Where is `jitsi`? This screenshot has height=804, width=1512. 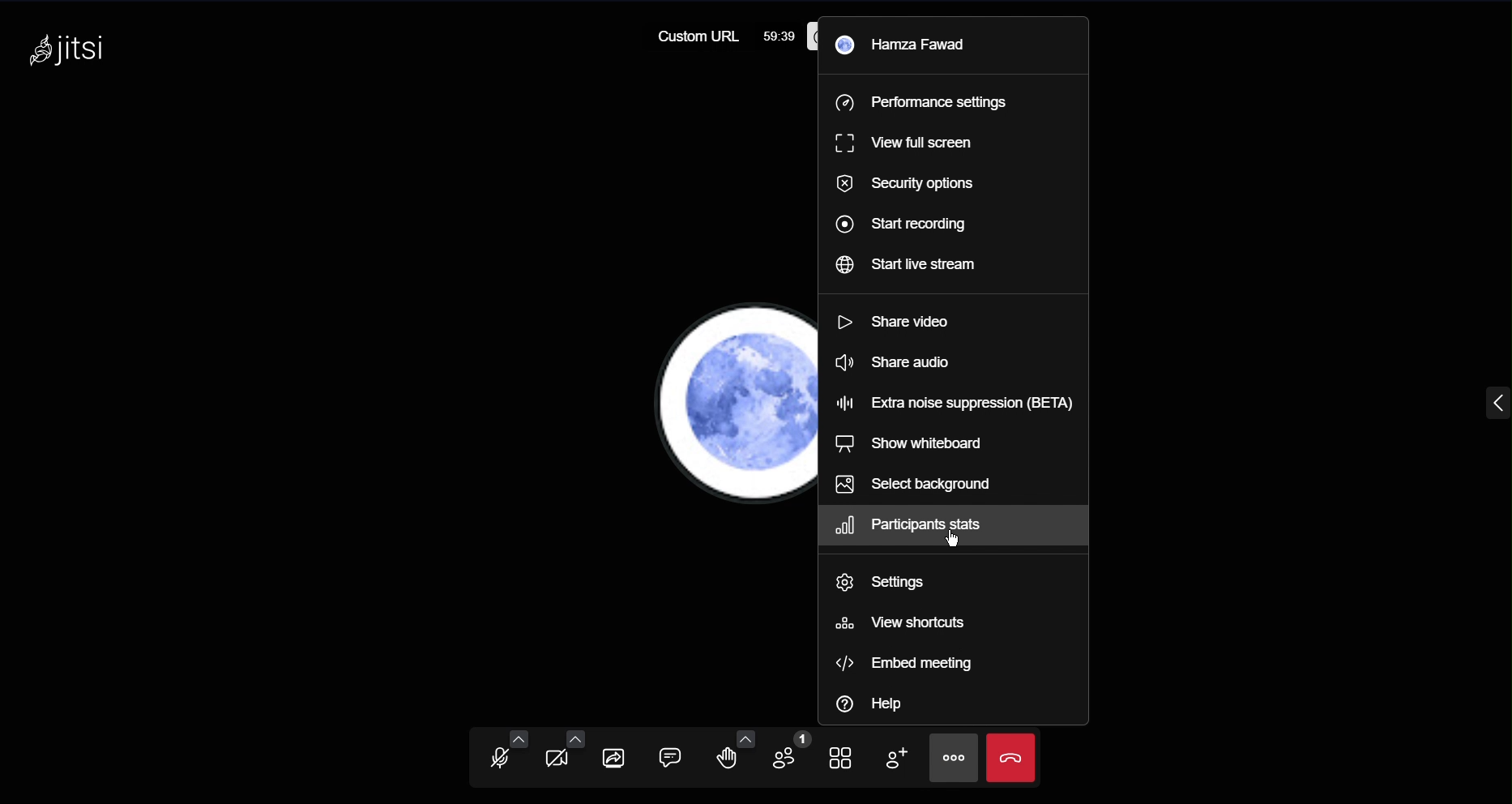 jitsi is located at coordinates (70, 45).